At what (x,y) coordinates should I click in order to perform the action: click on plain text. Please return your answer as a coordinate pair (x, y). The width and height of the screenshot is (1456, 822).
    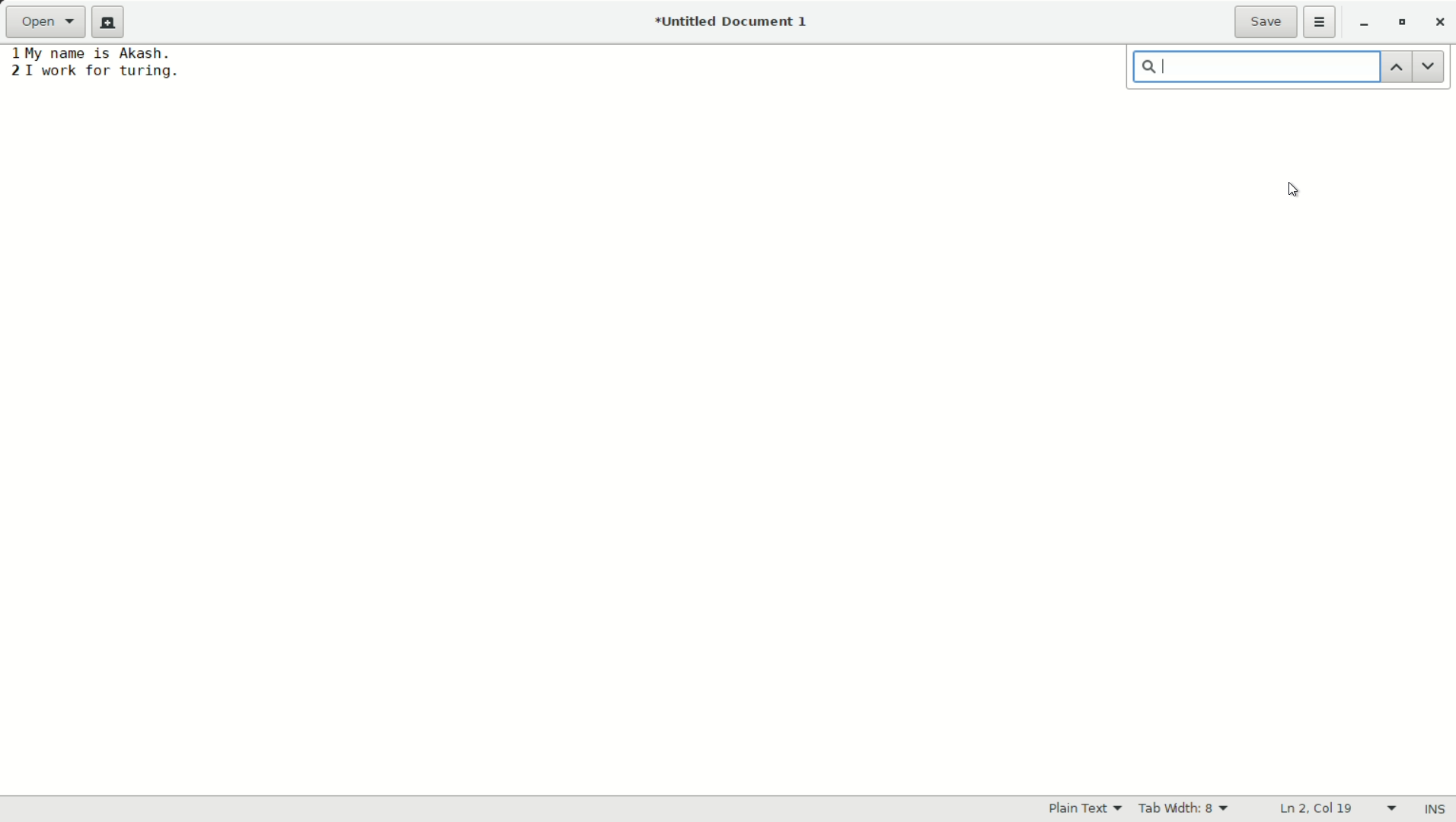
    Looking at the image, I should click on (1087, 809).